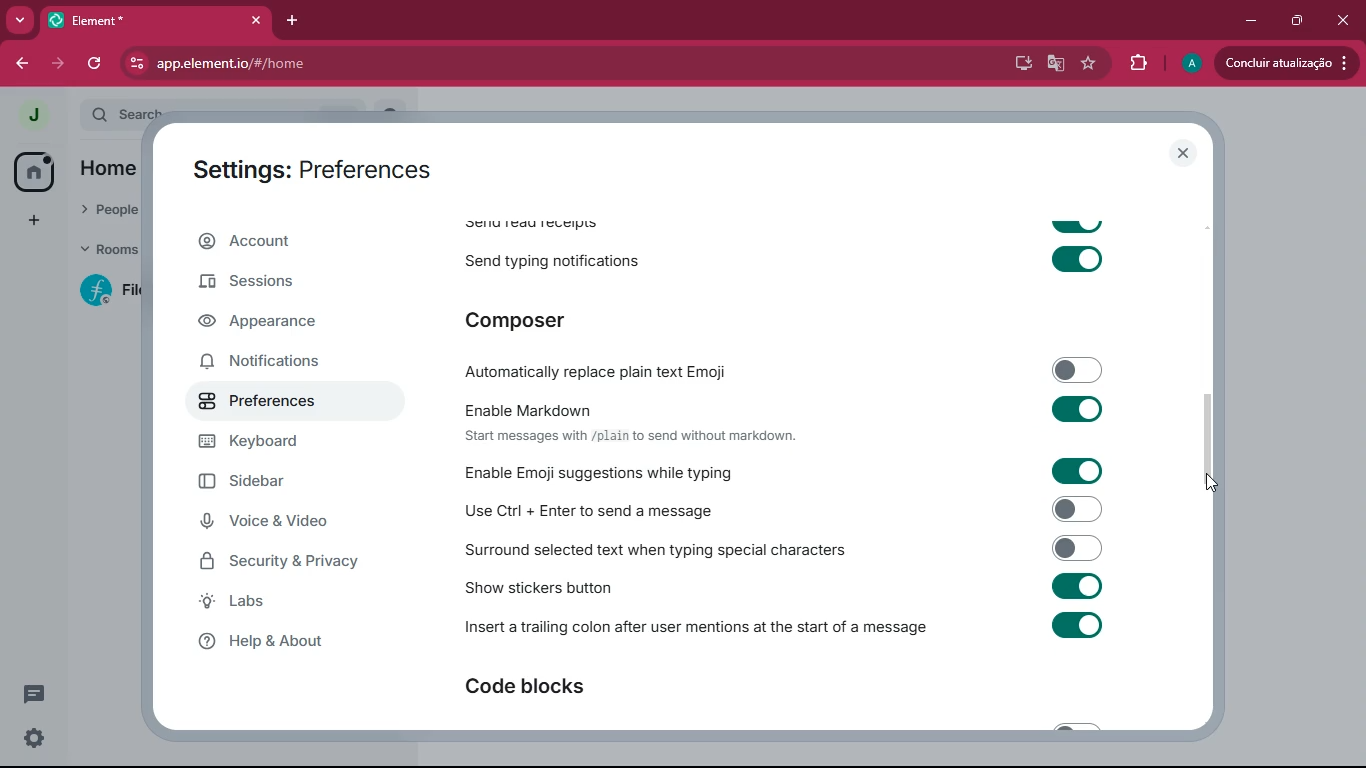  Describe the element at coordinates (16, 21) in the screenshot. I see `more` at that location.